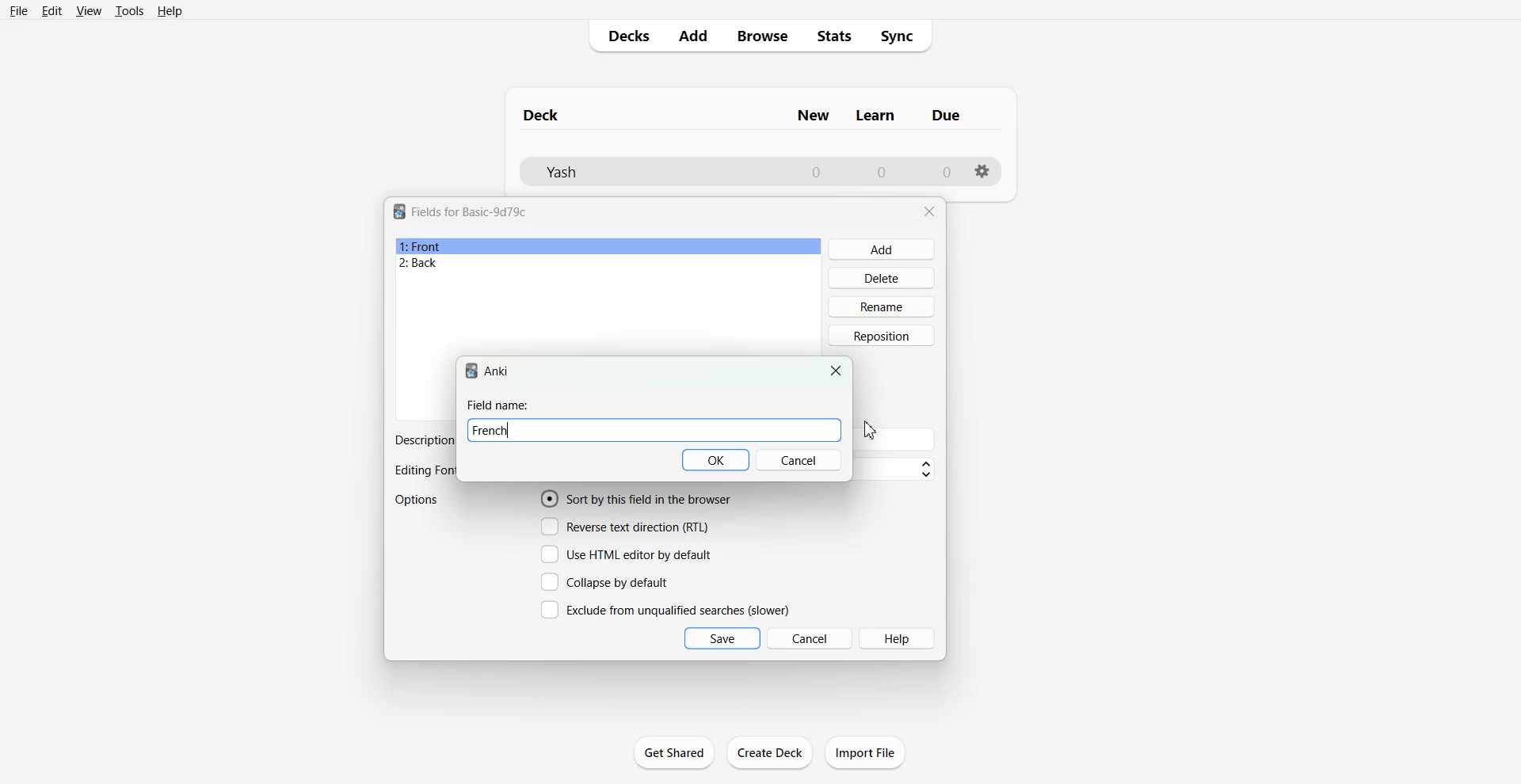 The width and height of the screenshot is (1521, 784). What do you see at coordinates (90, 10) in the screenshot?
I see `View` at bounding box center [90, 10].